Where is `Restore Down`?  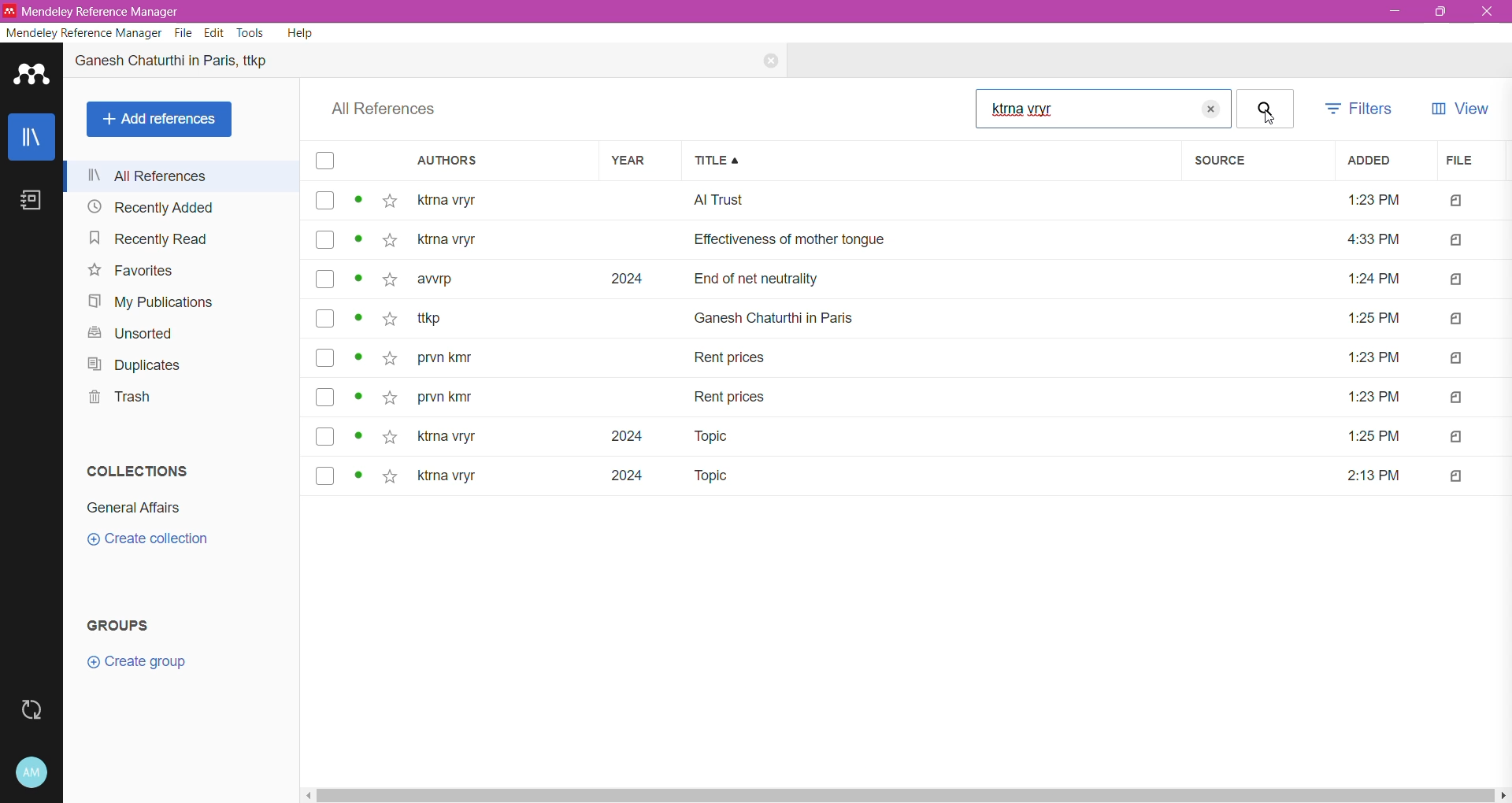
Restore Down is located at coordinates (1439, 13).